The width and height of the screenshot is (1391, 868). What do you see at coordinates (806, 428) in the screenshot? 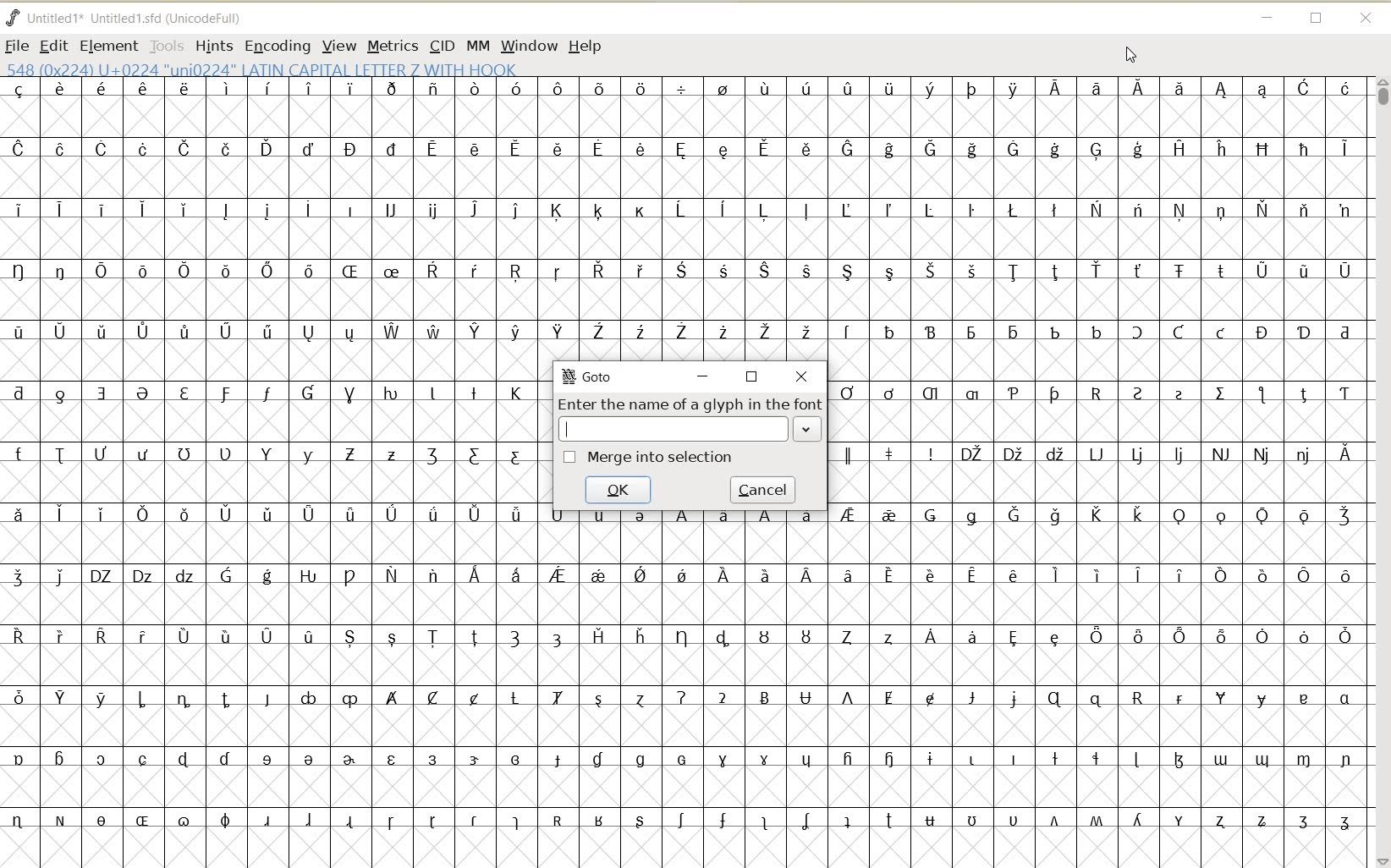
I see `EXPAND` at bounding box center [806, 428].